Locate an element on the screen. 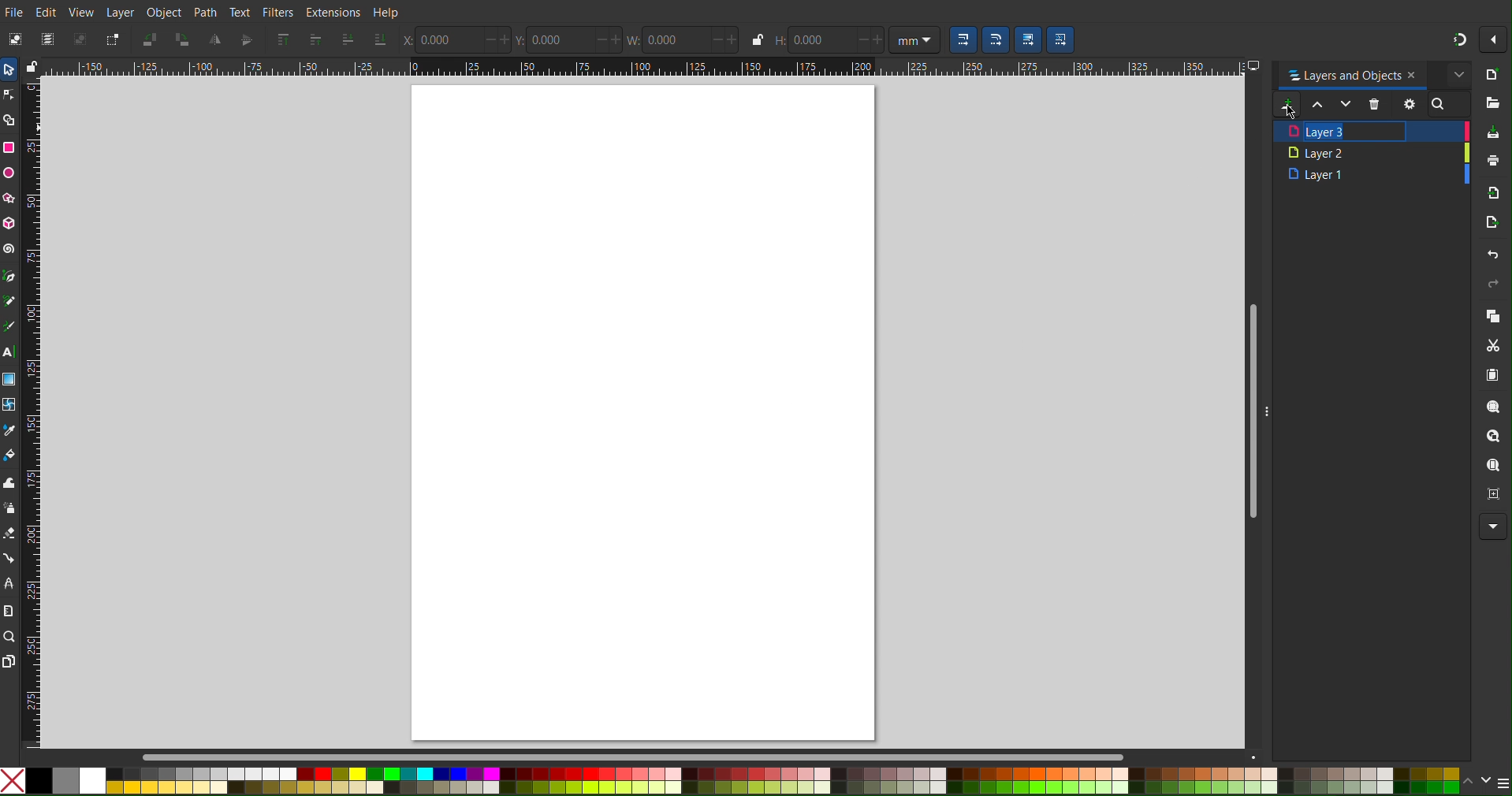 The height and width of the screenshot is (796, 1512). Object is located at coordinates (165, 12).